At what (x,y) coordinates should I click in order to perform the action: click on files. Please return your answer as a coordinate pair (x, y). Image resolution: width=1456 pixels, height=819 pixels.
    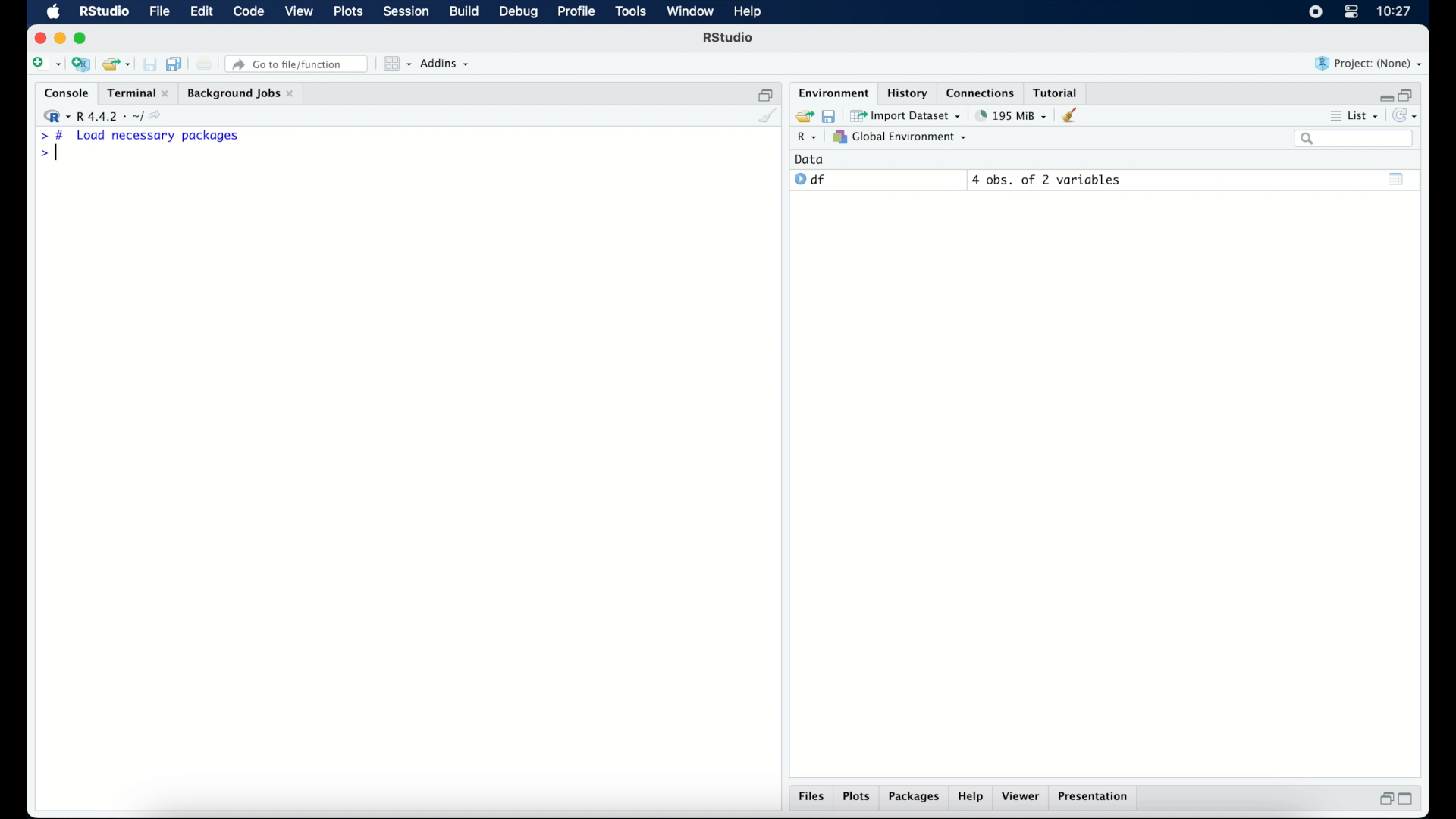
    Looking at the image, I should click on (811, 799).